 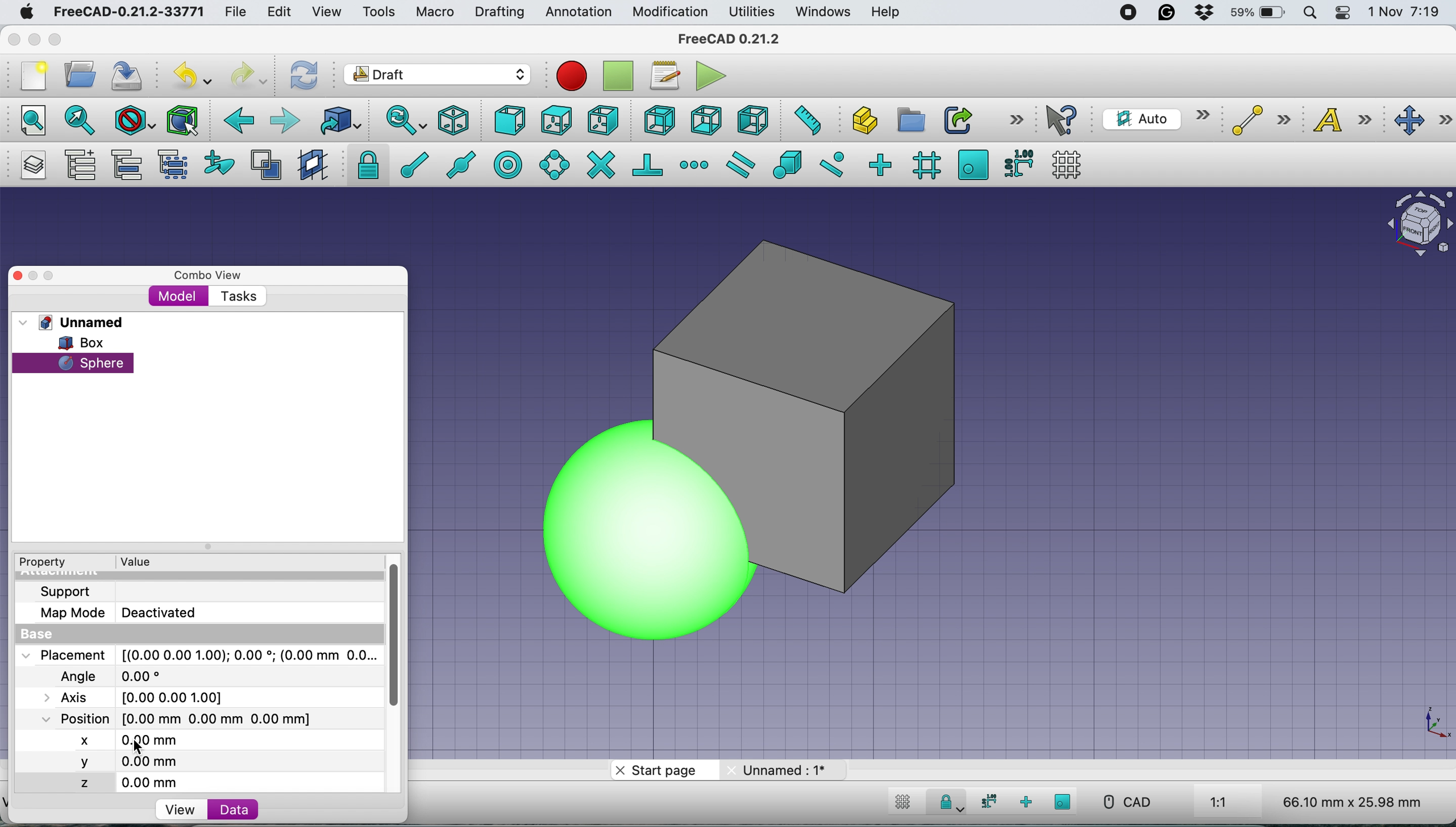 I want to click on position, so click(x=186, y=718).